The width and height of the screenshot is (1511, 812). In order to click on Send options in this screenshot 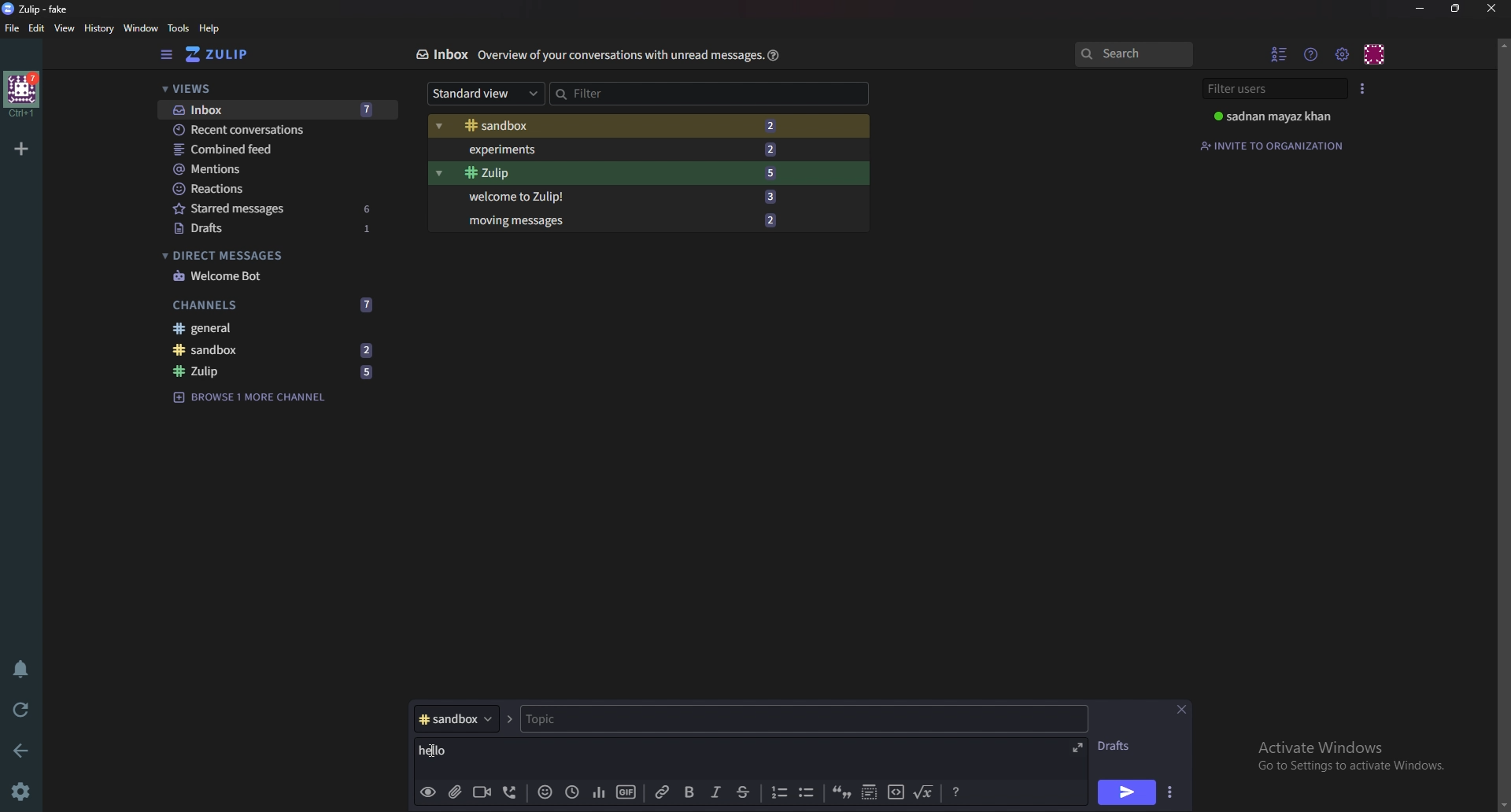, I will do `click(1176, 792)`.